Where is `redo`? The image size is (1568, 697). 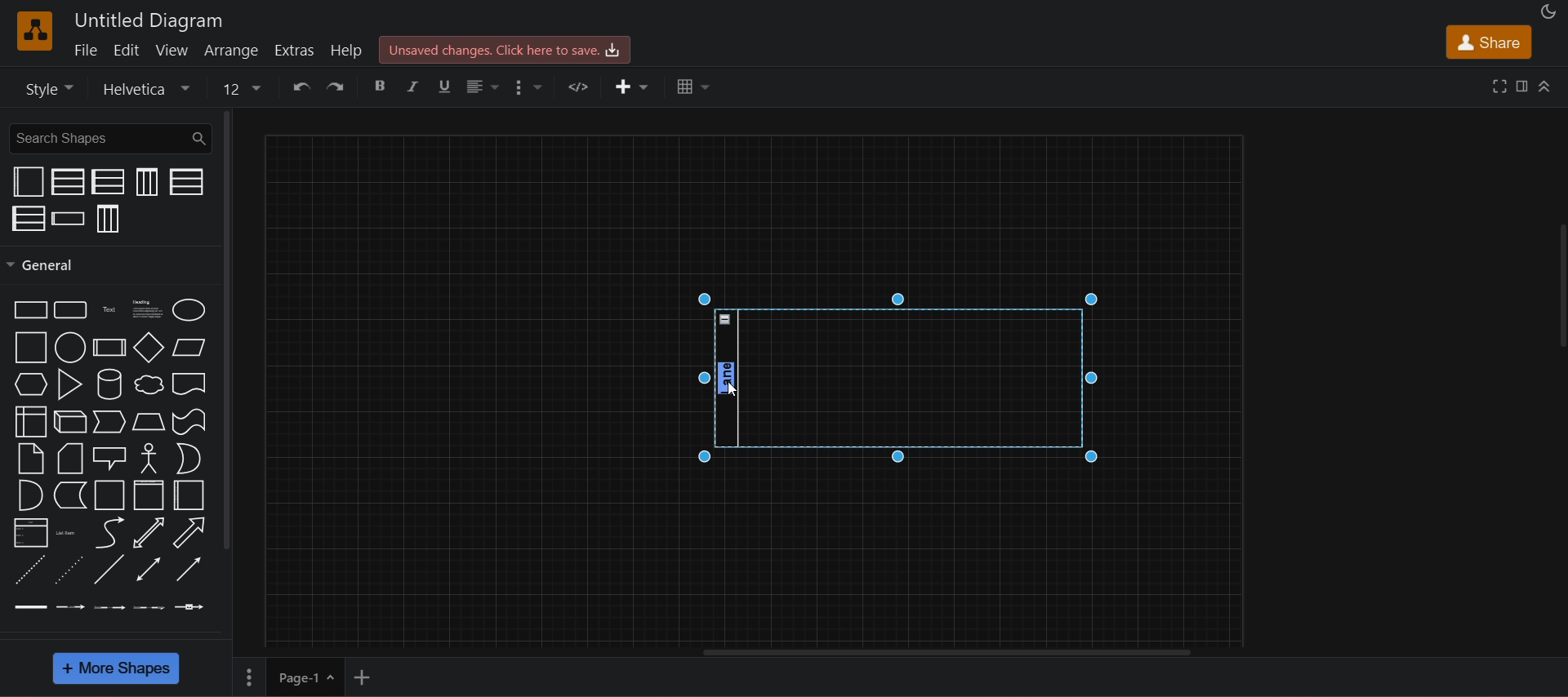 redo is located at coordinates (341, 87).